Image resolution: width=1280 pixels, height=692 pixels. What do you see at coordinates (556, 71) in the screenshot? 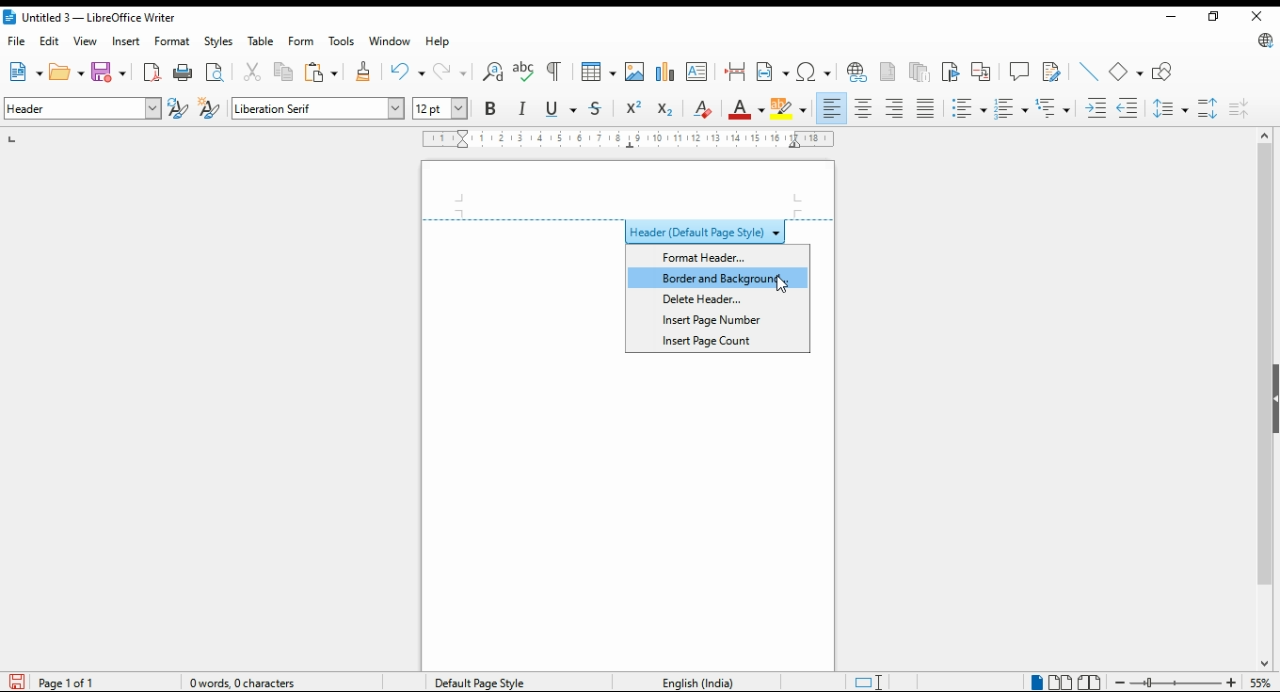
I see `toggle formatting marks` at bounding box center [556, 71].